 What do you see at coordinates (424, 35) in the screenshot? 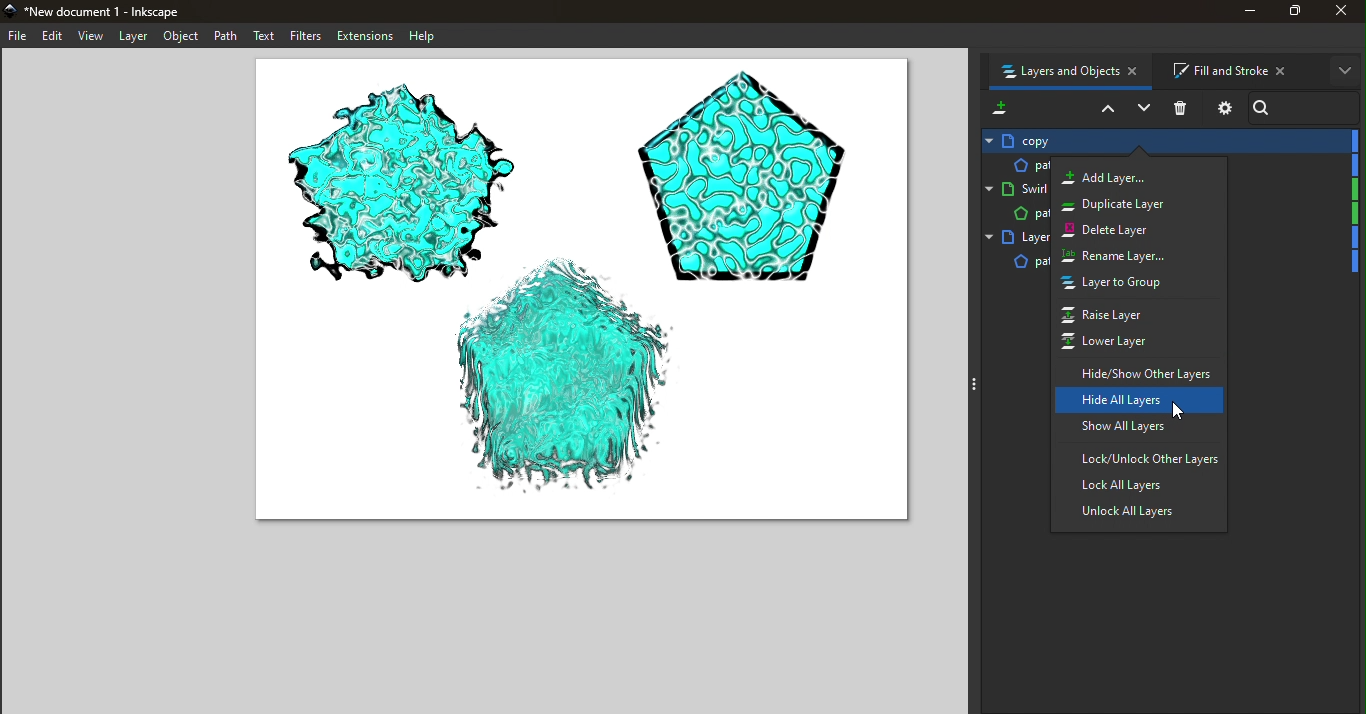
I see `Help` at bounding box center [424, 35].